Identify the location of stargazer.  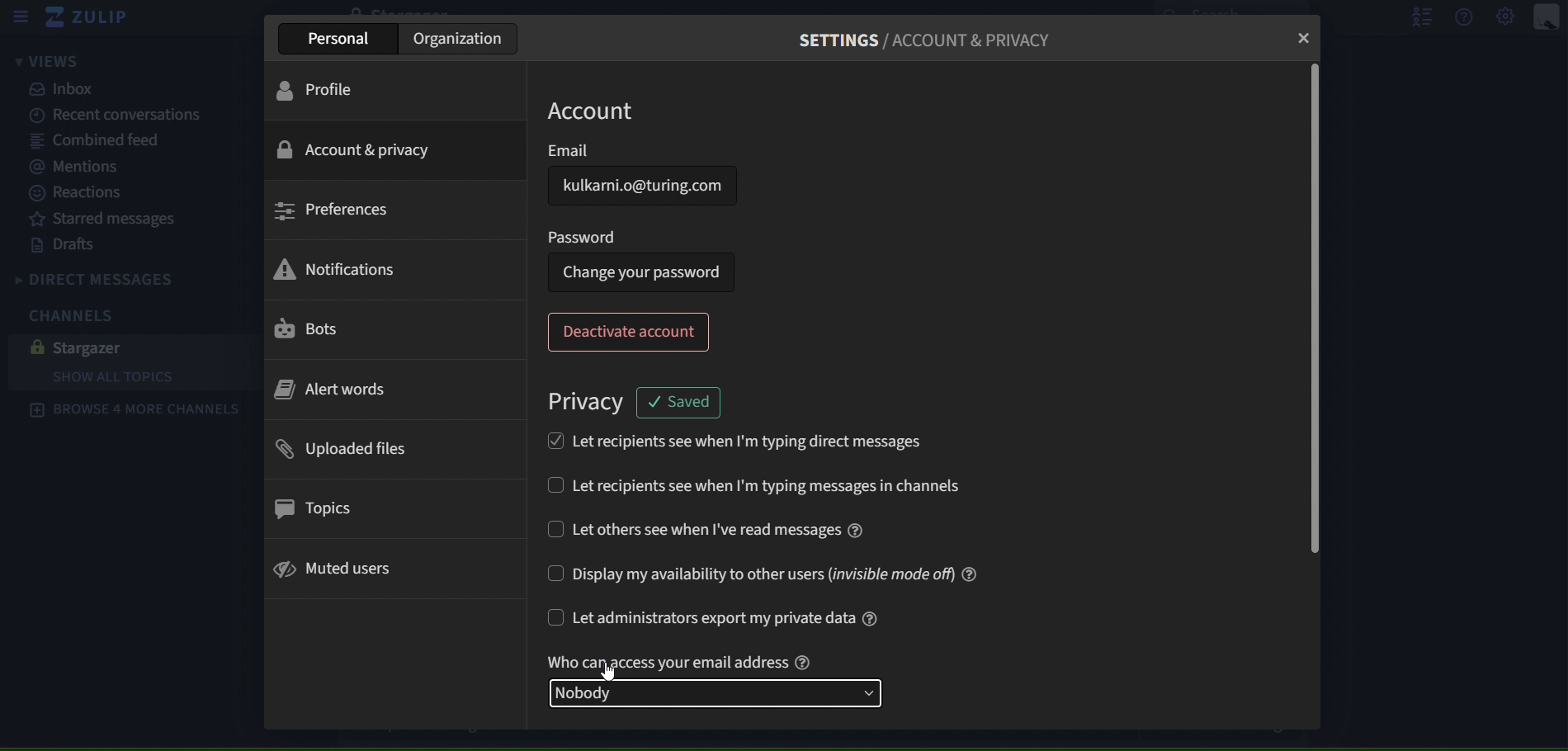
(86, 347).